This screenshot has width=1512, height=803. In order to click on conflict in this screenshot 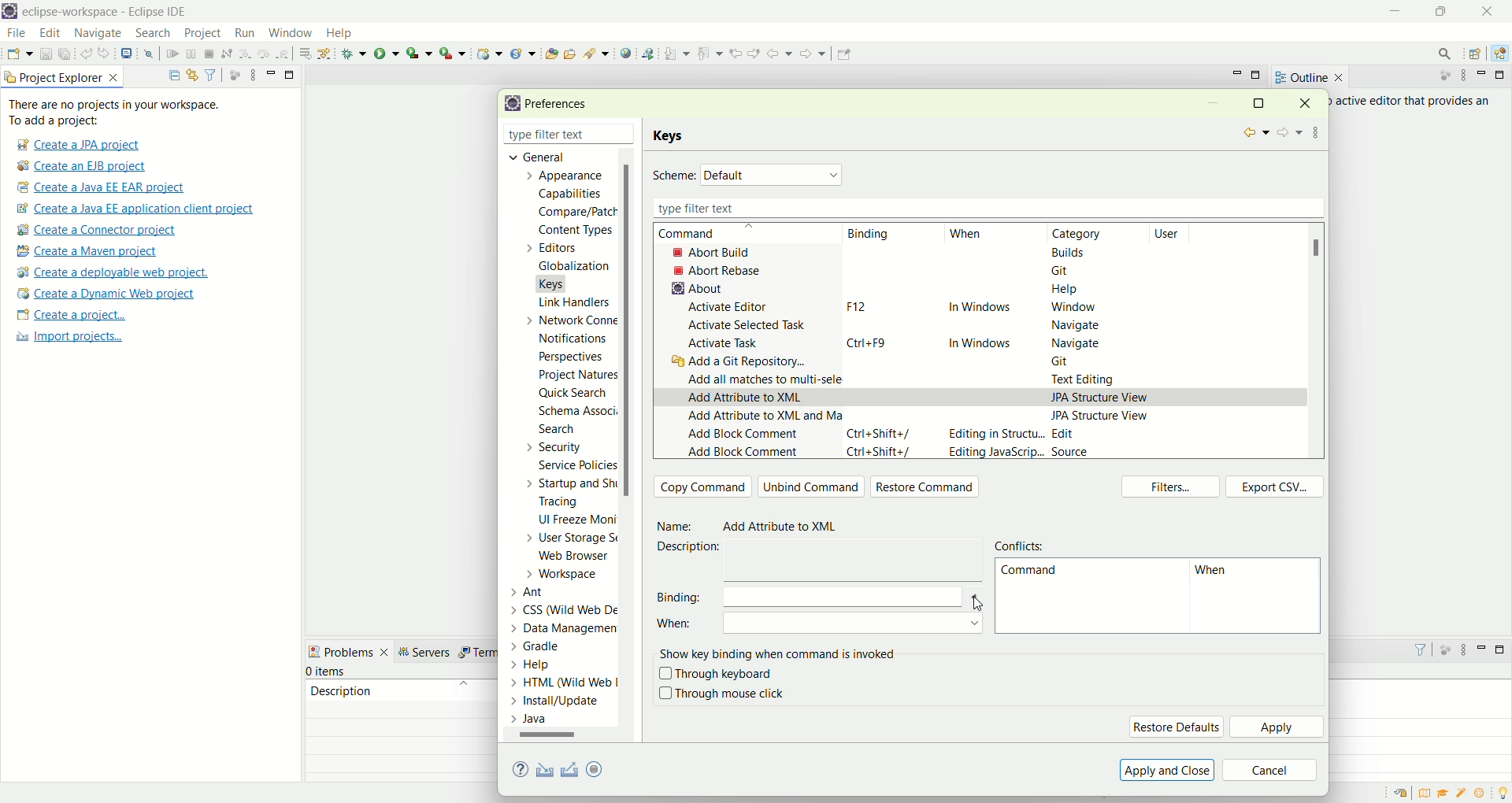, I will do `click(1023, 544)`.